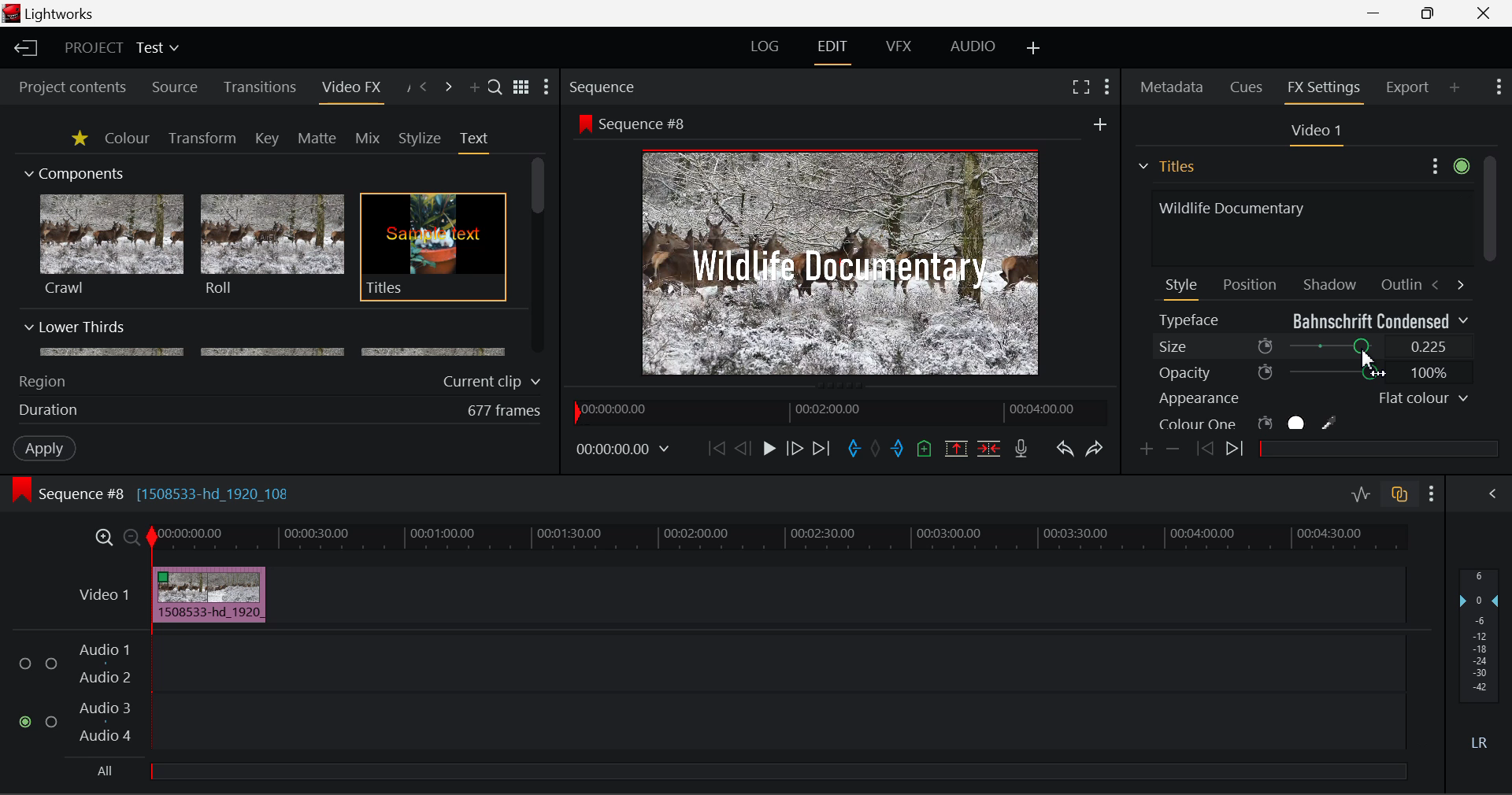 This screenshot has width=1512, height=795. Describe the element at coordinates (106, 734) in the screenshot. I see `Audio 4` at that location.